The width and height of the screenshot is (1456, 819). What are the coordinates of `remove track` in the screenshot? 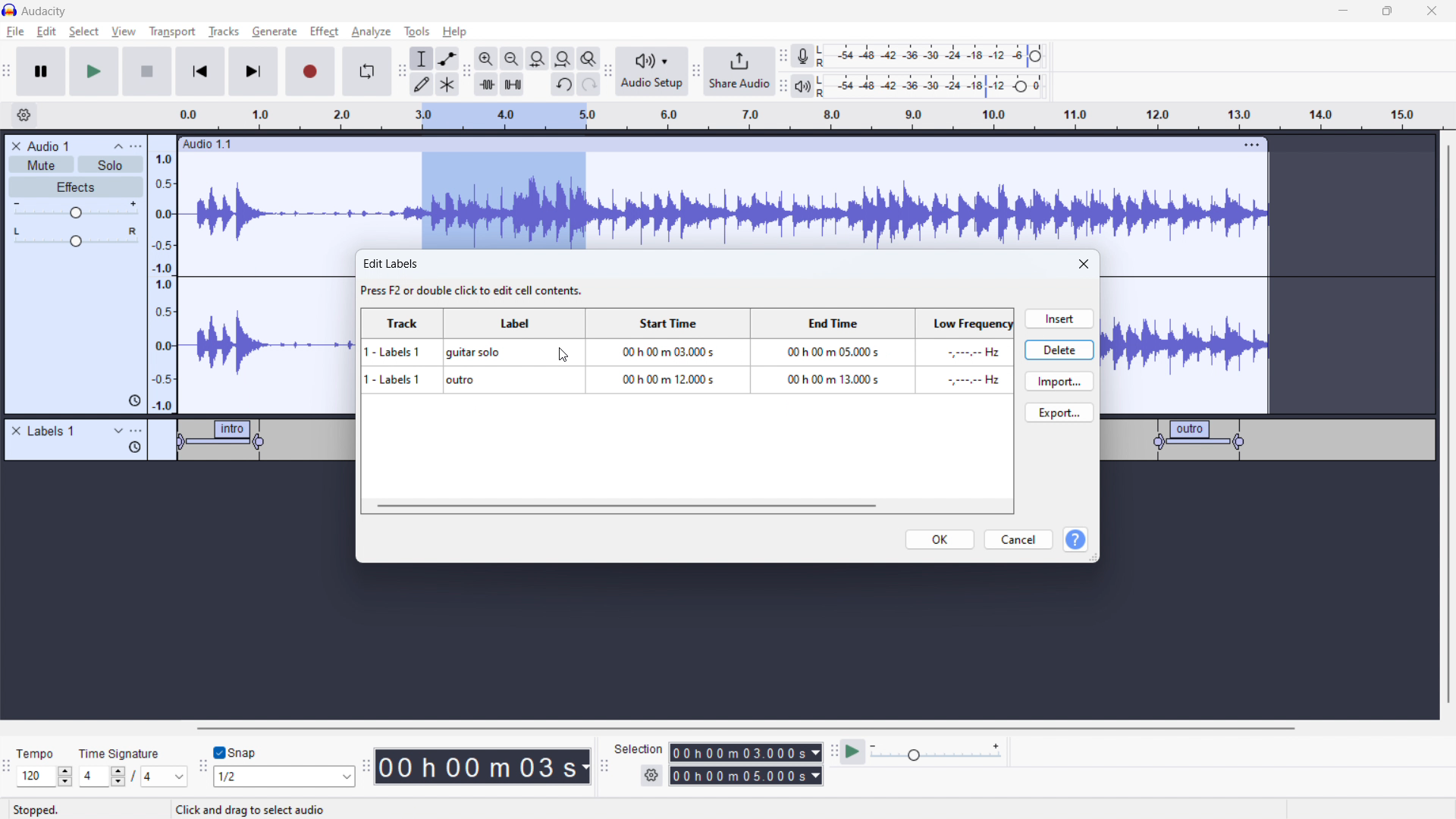 It's located at (16, 146).